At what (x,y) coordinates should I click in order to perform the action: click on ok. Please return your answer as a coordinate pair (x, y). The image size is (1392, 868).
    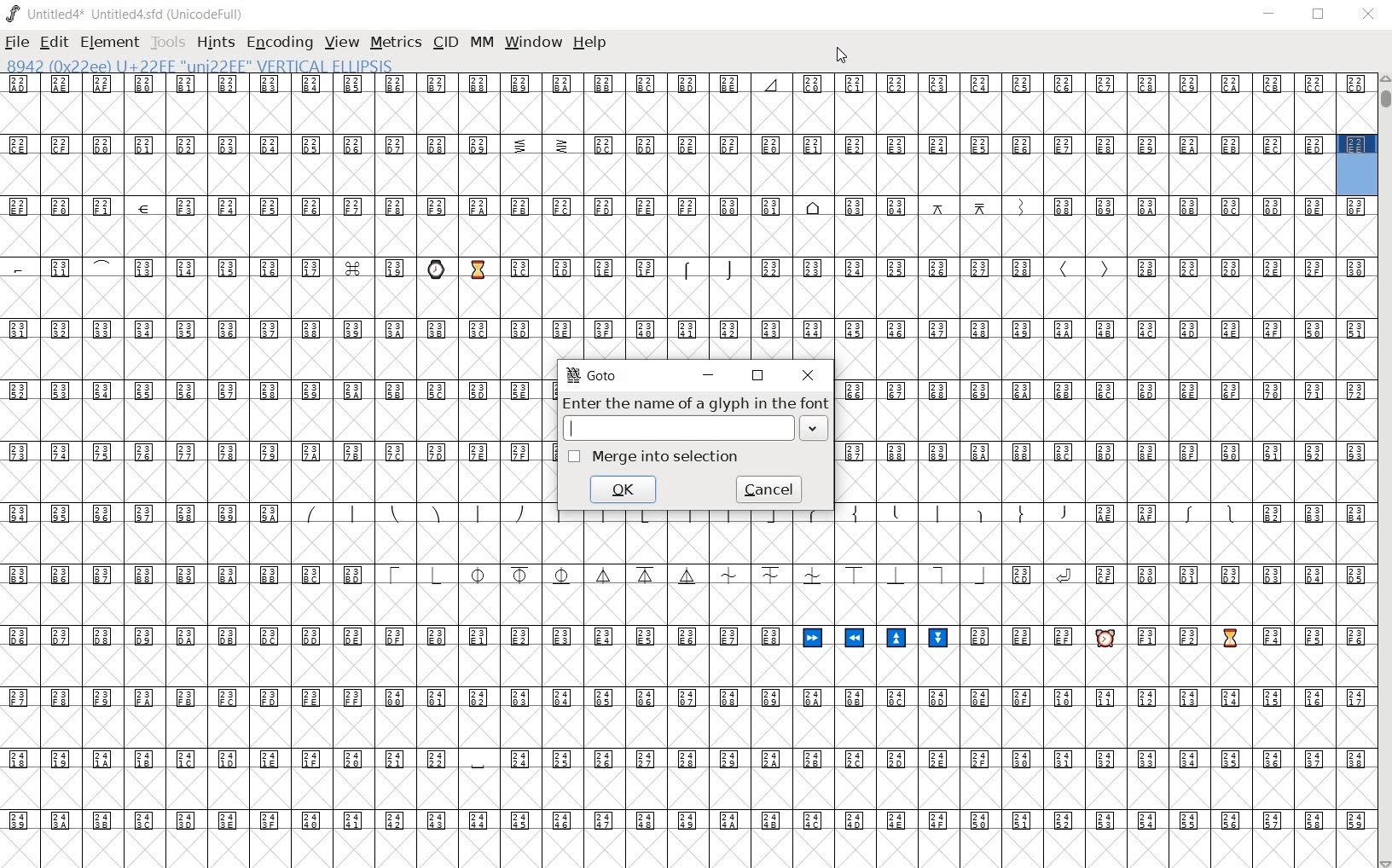
    Looking at the image, I should click on (625, 489).